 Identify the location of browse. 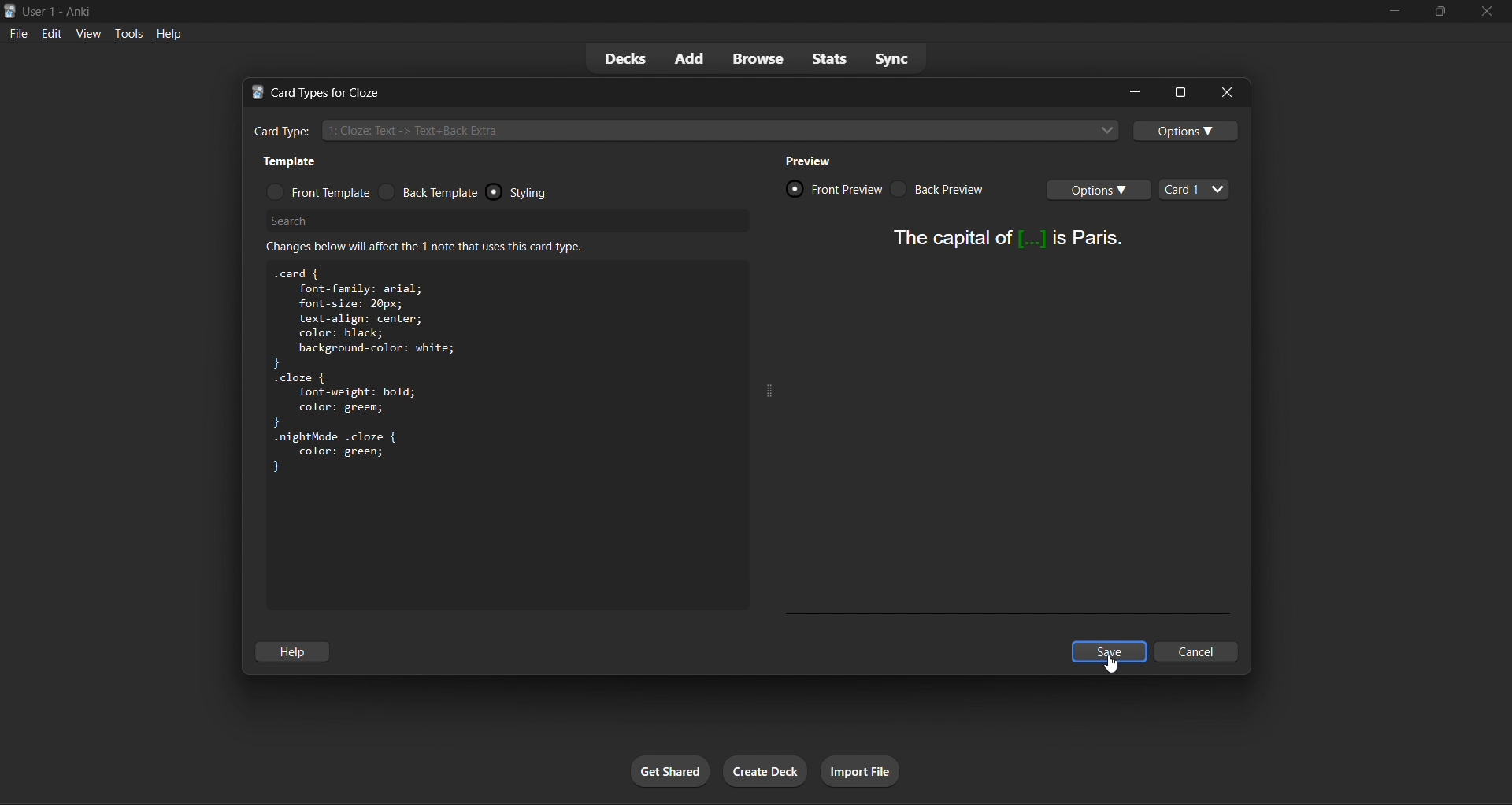
(755, 58).